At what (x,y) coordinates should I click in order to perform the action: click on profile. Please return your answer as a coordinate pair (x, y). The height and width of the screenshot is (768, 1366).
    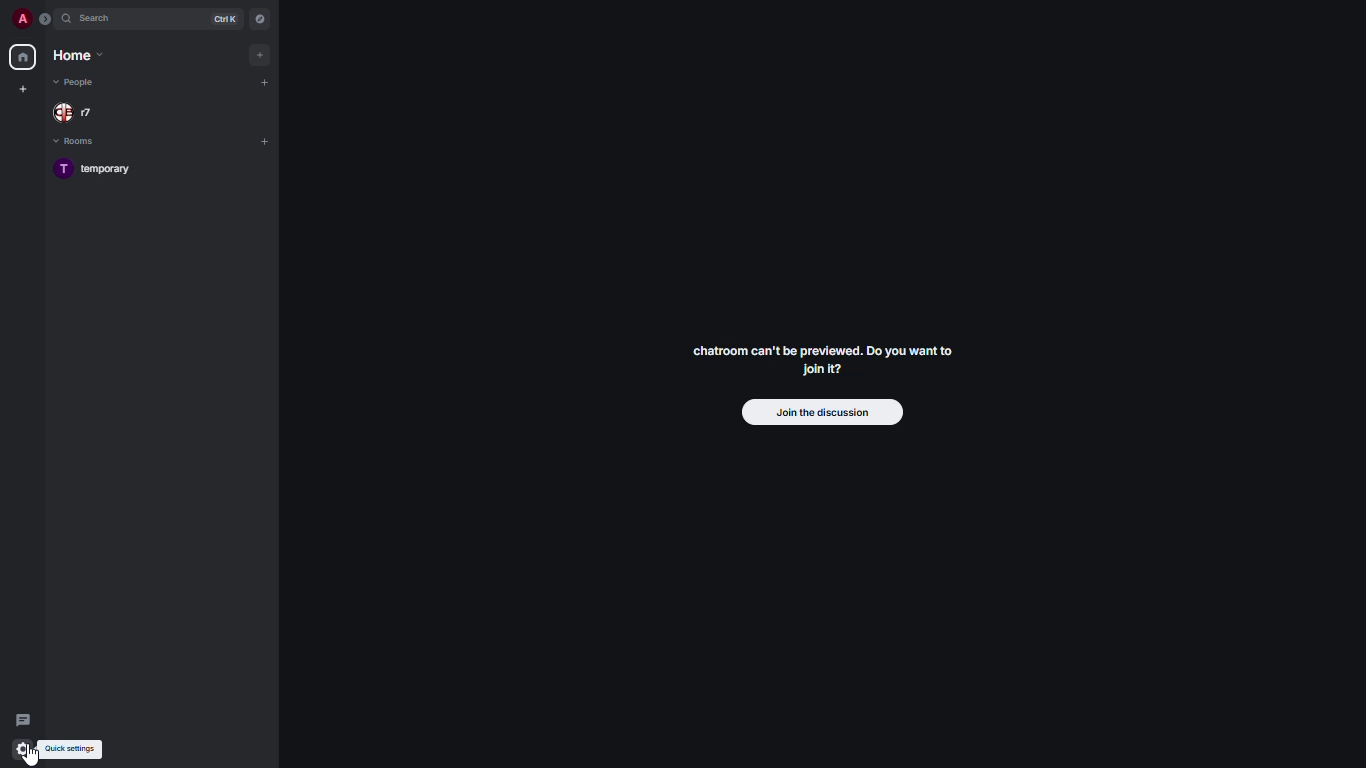
    Looking at the image, I should click on (21, 18).